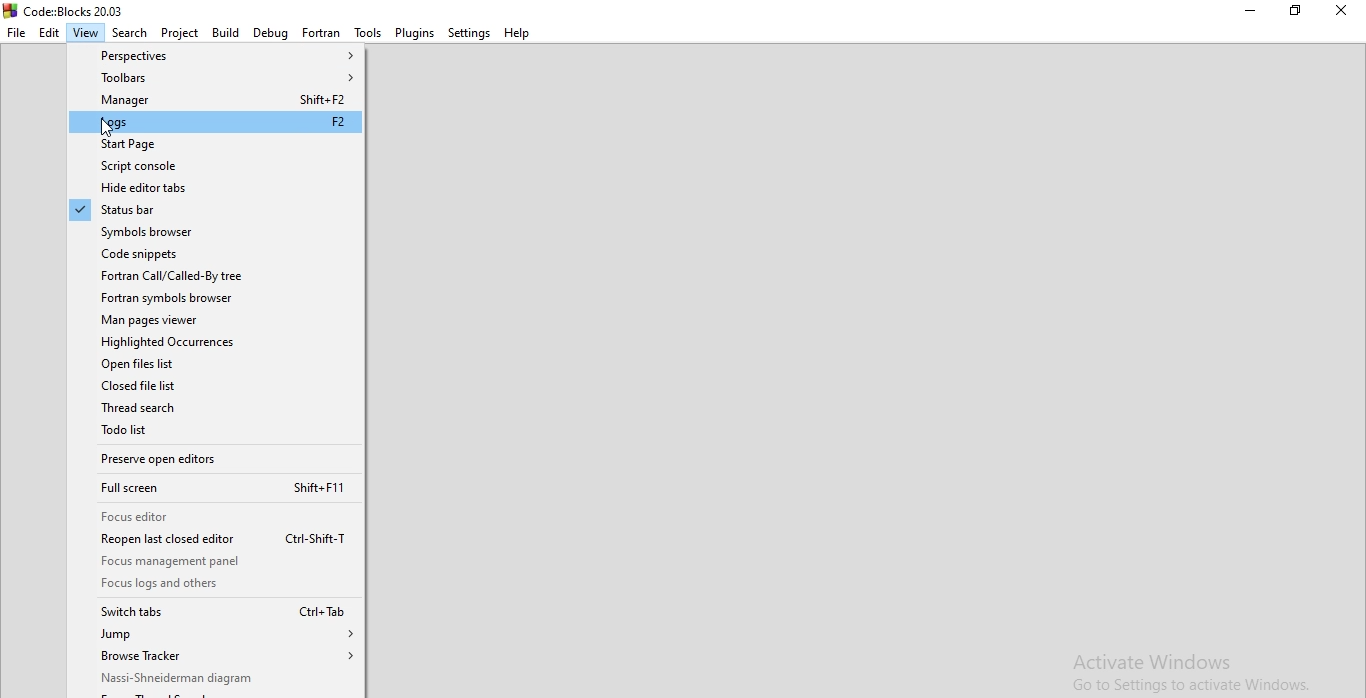 Image resolution: width=1366 pixels, height=698 pixels. I want to click on Close, so click(1342, 11).